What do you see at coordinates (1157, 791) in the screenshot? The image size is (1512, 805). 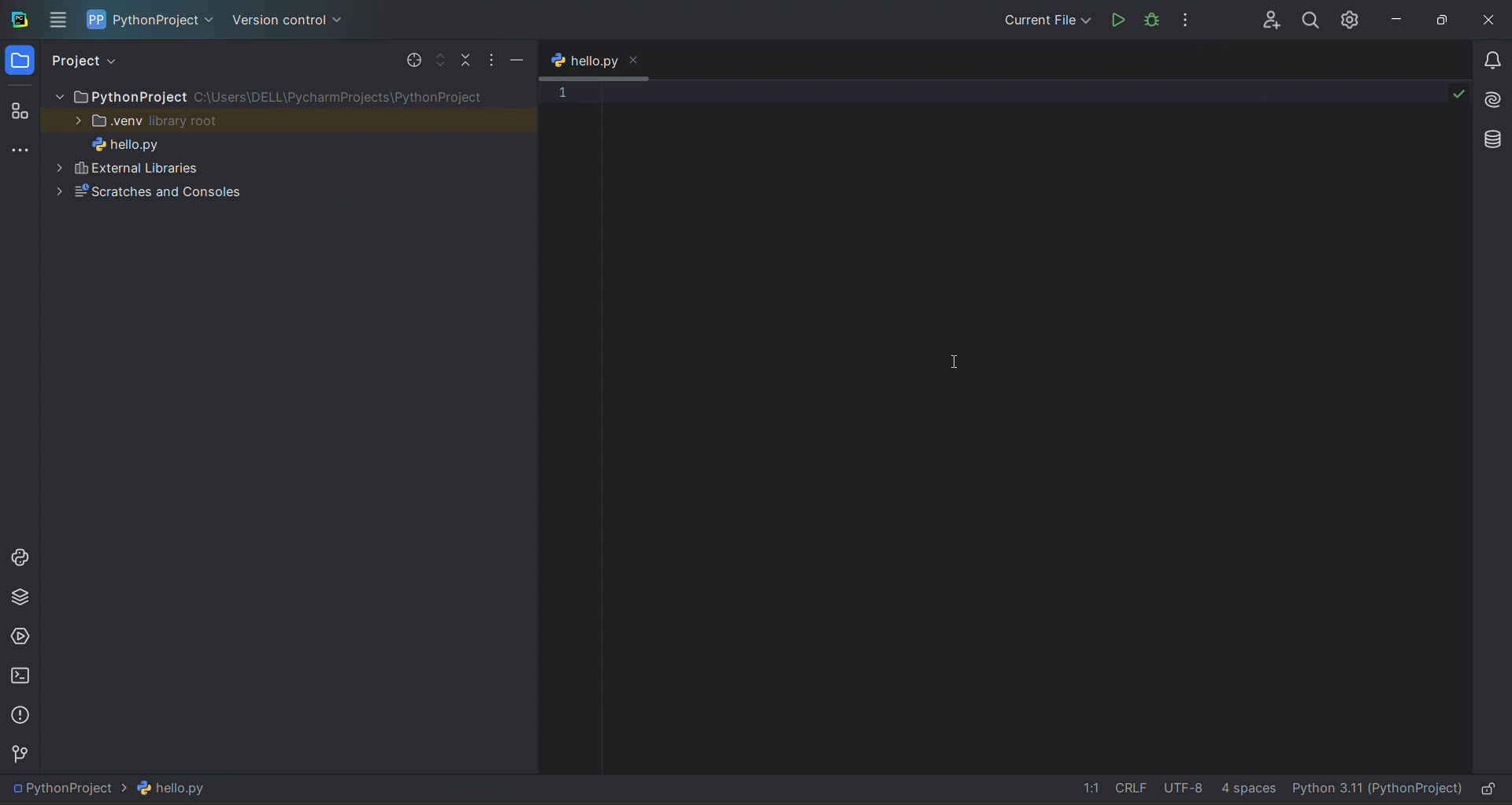 I see `file data` at bounding box center [1157, 791].